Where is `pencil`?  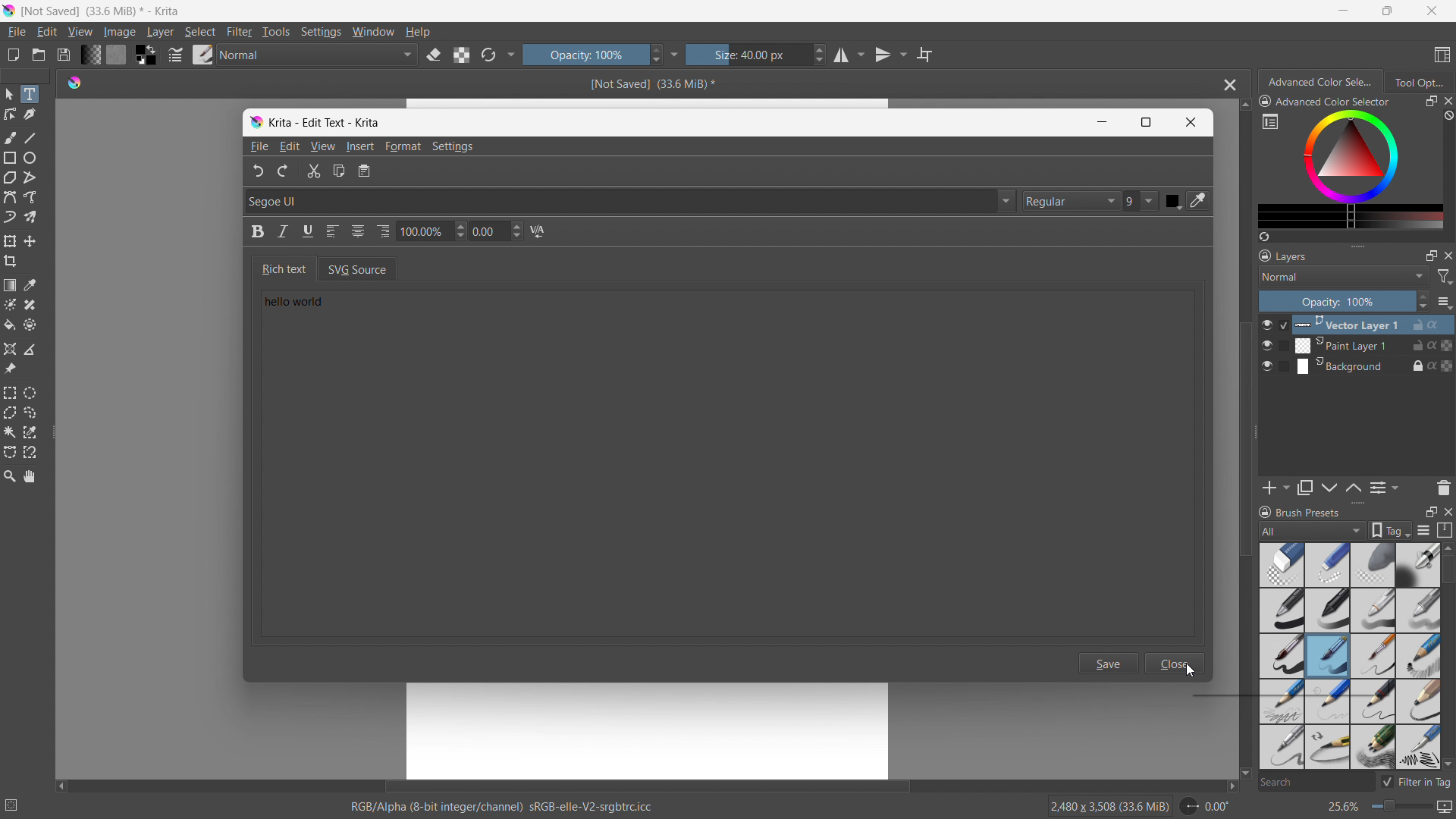
pencil is located at coordinates (1279, 747).